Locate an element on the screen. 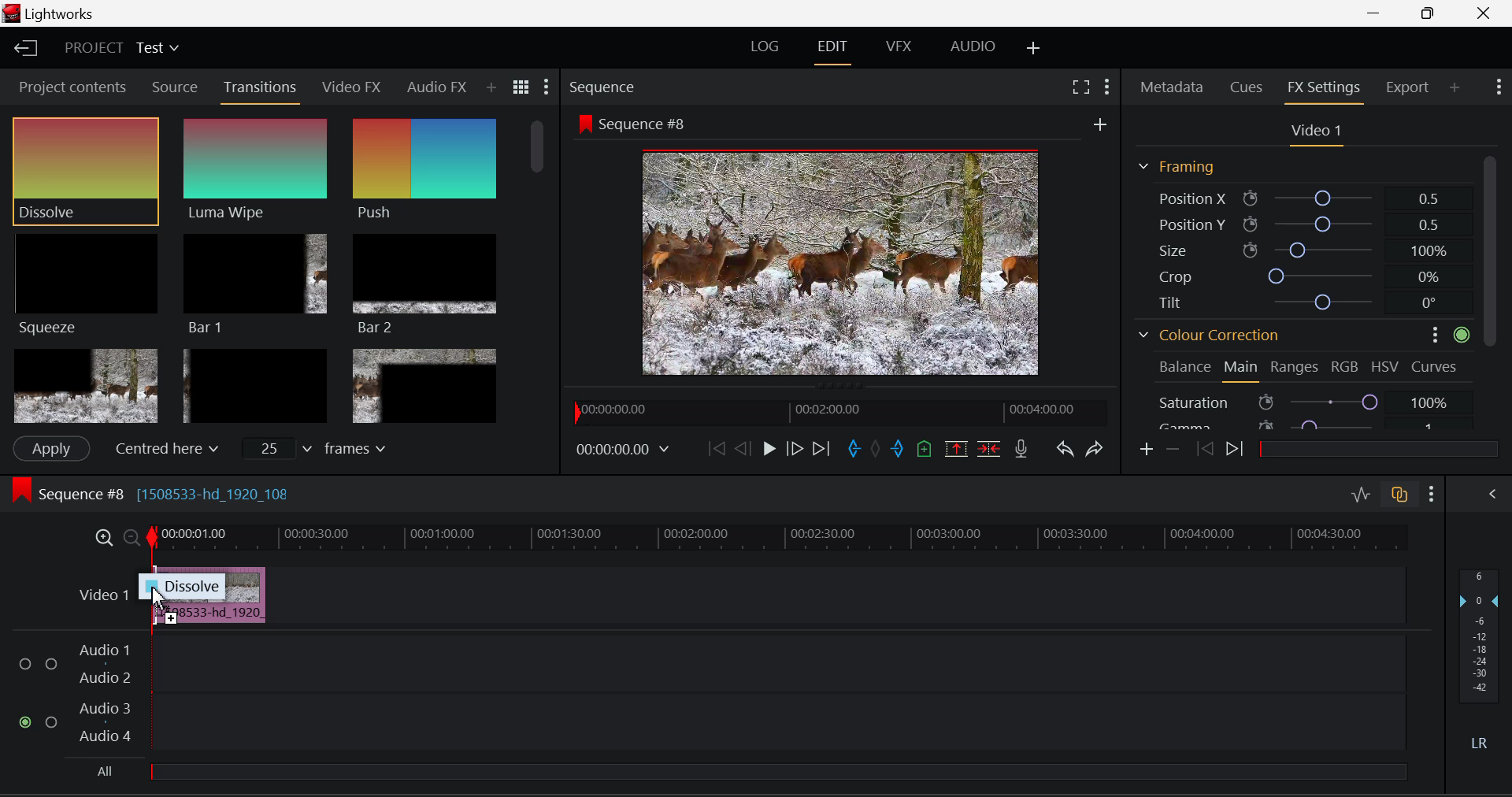 Image resolution: width=1512 pixels, height=797 pixels. Project contents is located at coordinates (67, 86).